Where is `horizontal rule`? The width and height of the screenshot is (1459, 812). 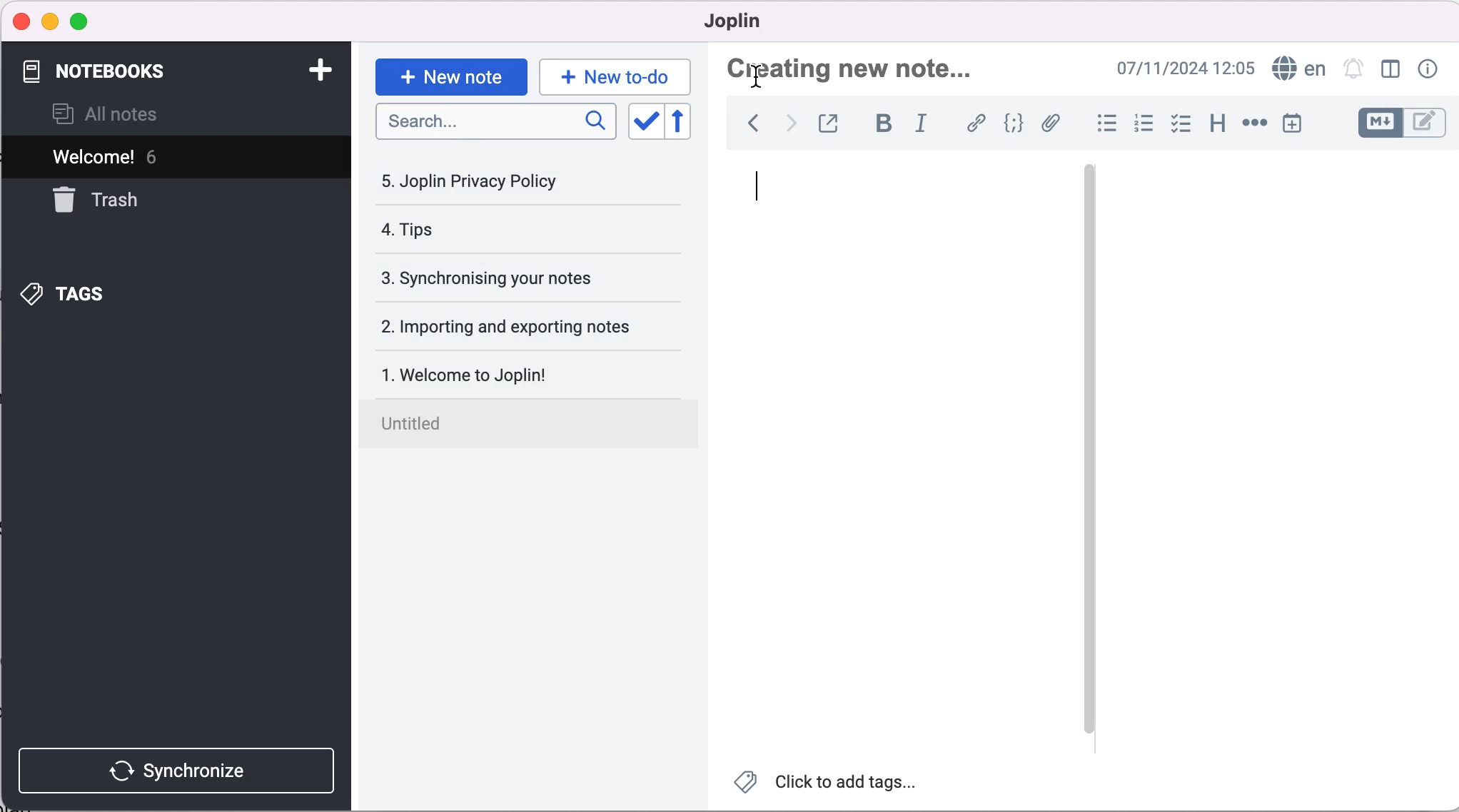 horizontal rule is located at coordinates (1252, 123).